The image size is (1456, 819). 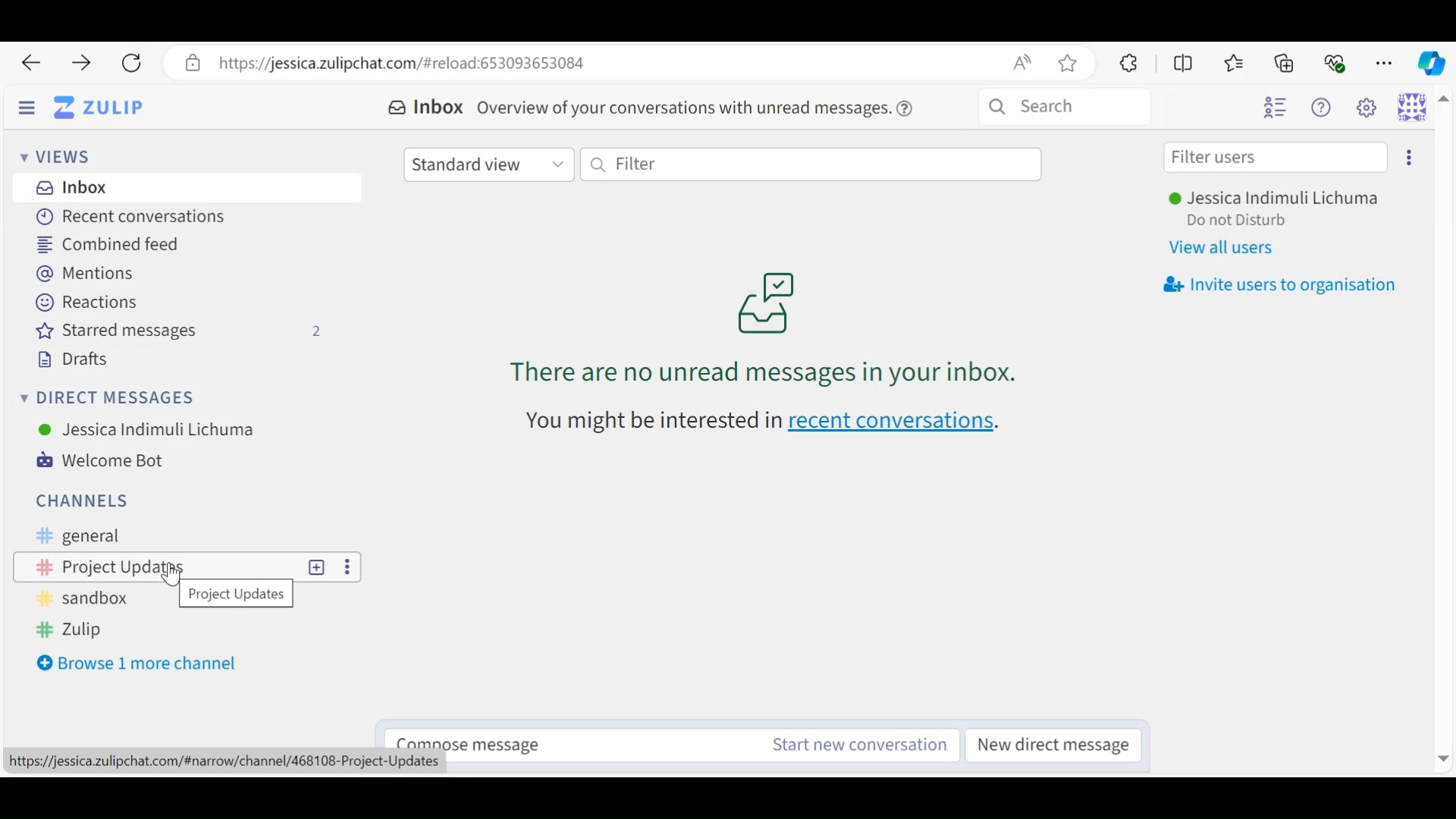 What do you see at coordinates (71, 187) in the screenshot?
I see `Inbox` at bounding box center [71, 187].